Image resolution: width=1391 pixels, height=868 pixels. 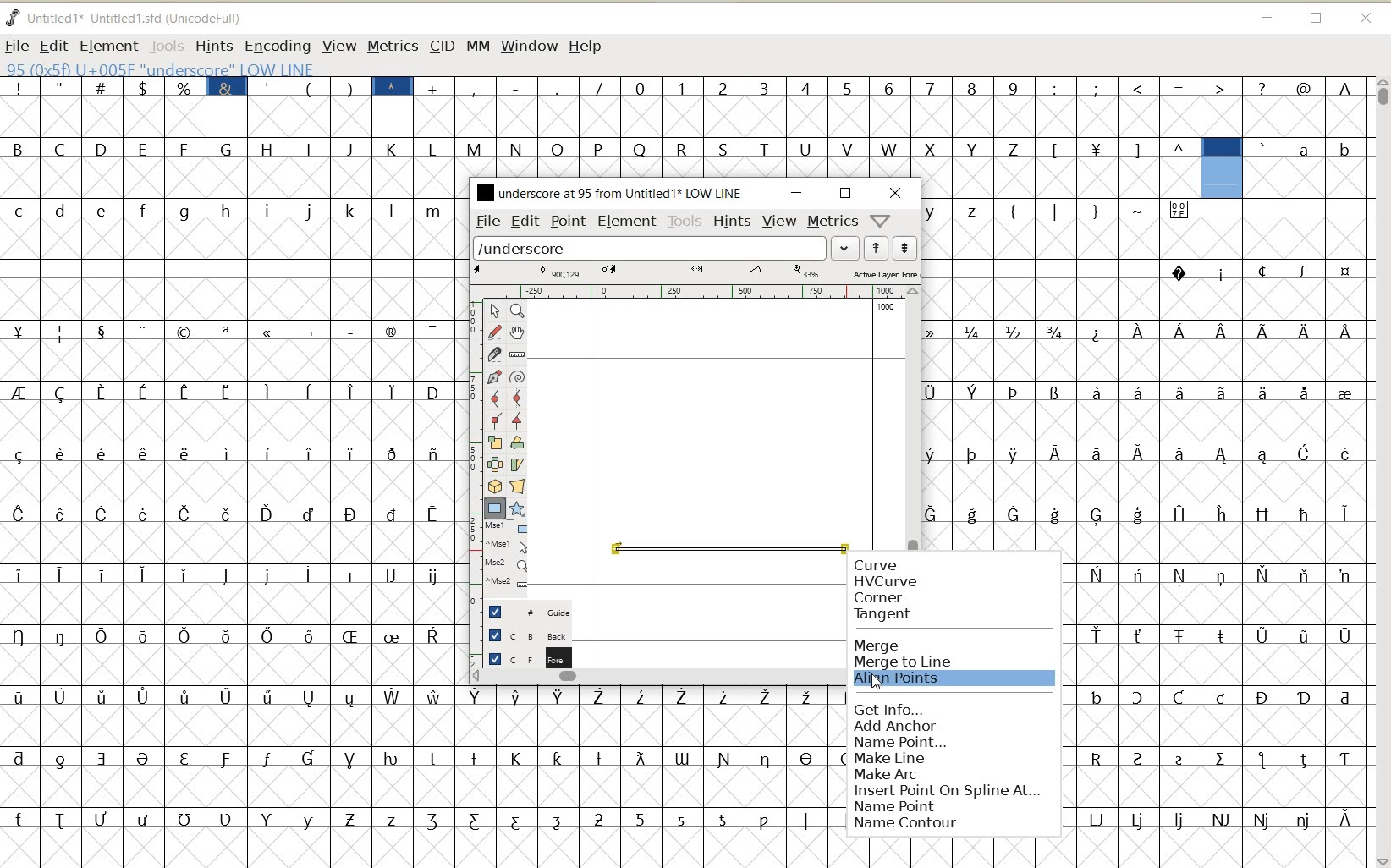 I want to click on measure a distance, angle between points, so click(x=518, y=354).